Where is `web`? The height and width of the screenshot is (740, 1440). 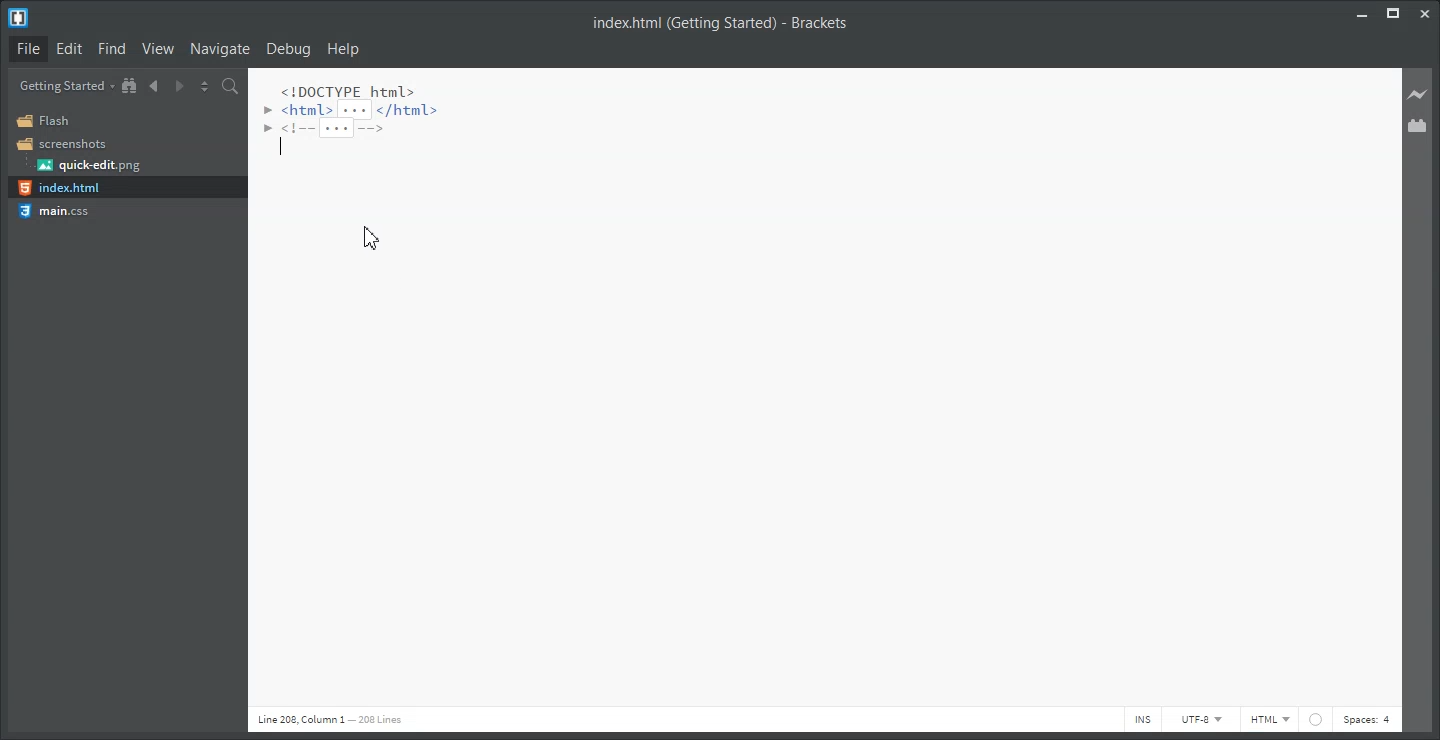 web is located at coordinates (1314, 717).